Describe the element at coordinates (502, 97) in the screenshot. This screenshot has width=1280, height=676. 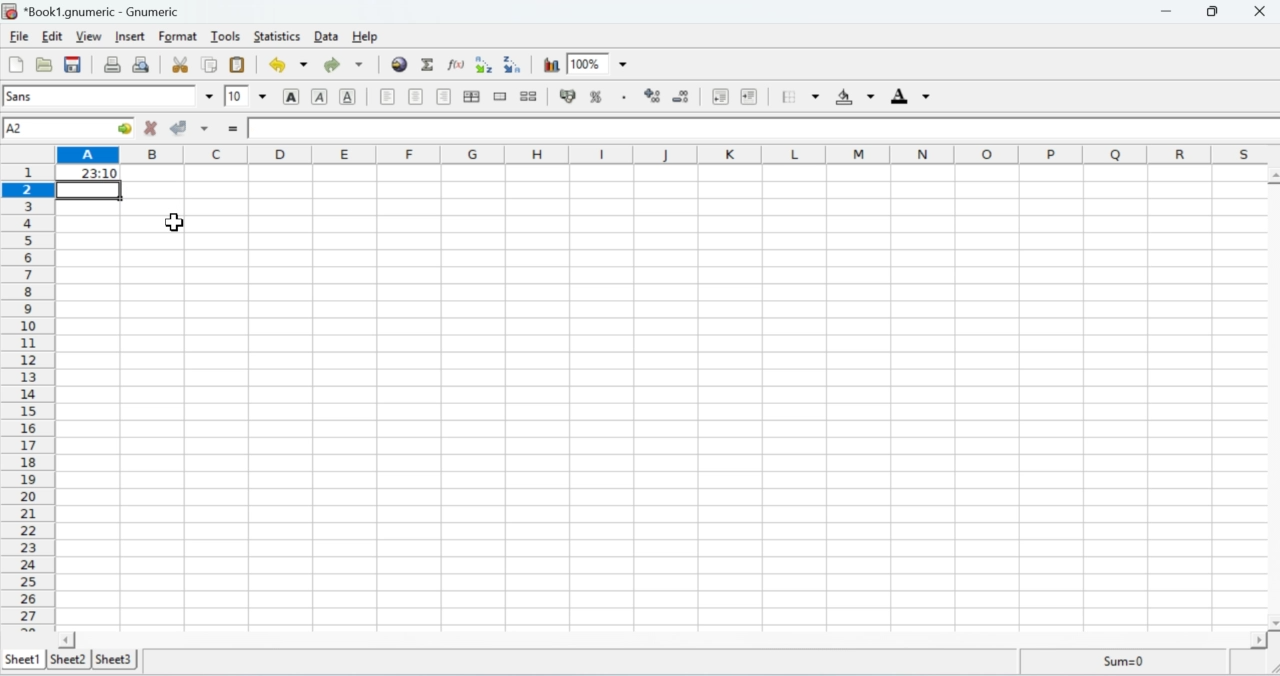
I see `Merge a range of cells` at that location.